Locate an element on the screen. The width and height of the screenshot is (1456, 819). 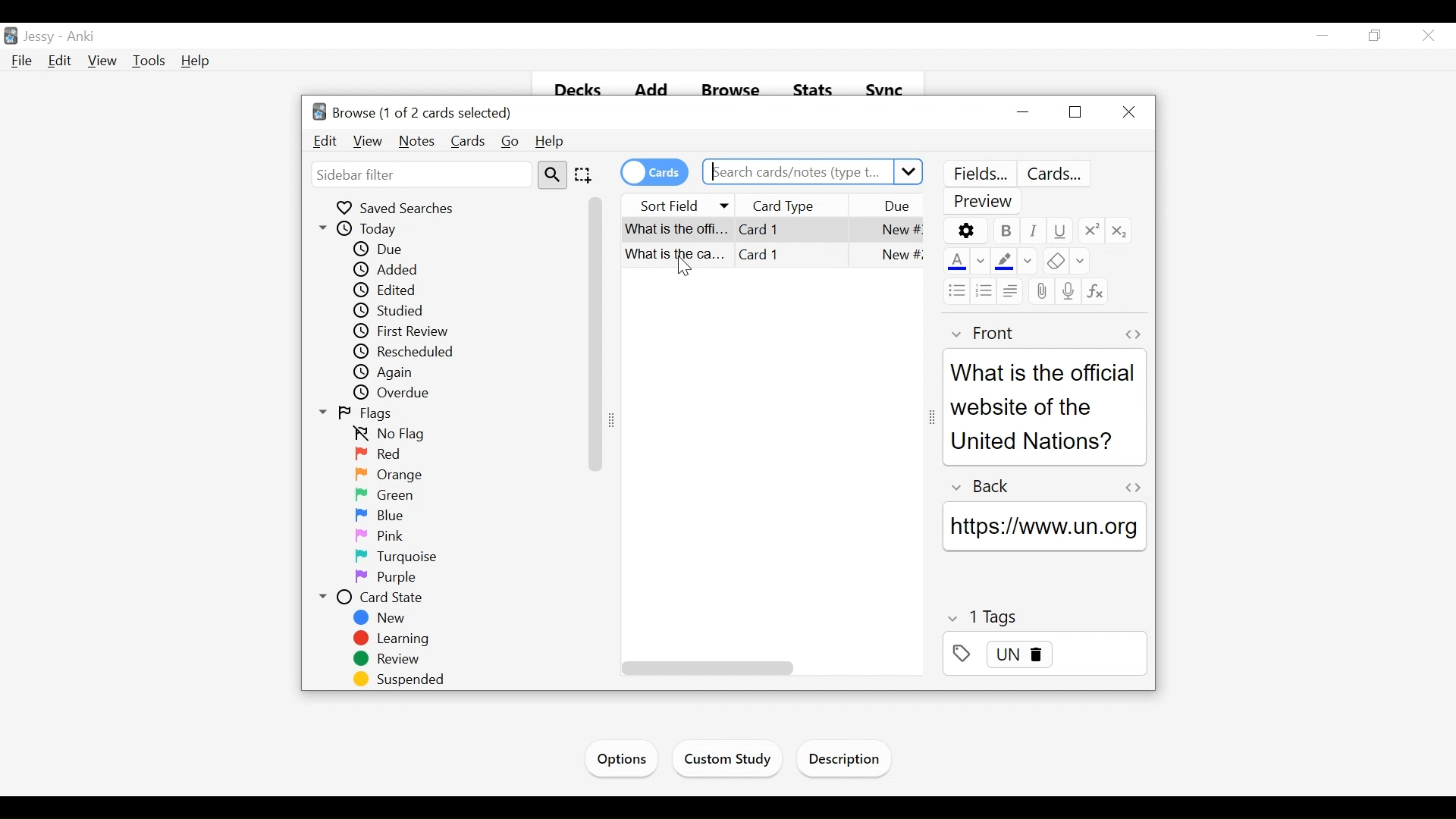
Red is located at coordinates (377, 454).